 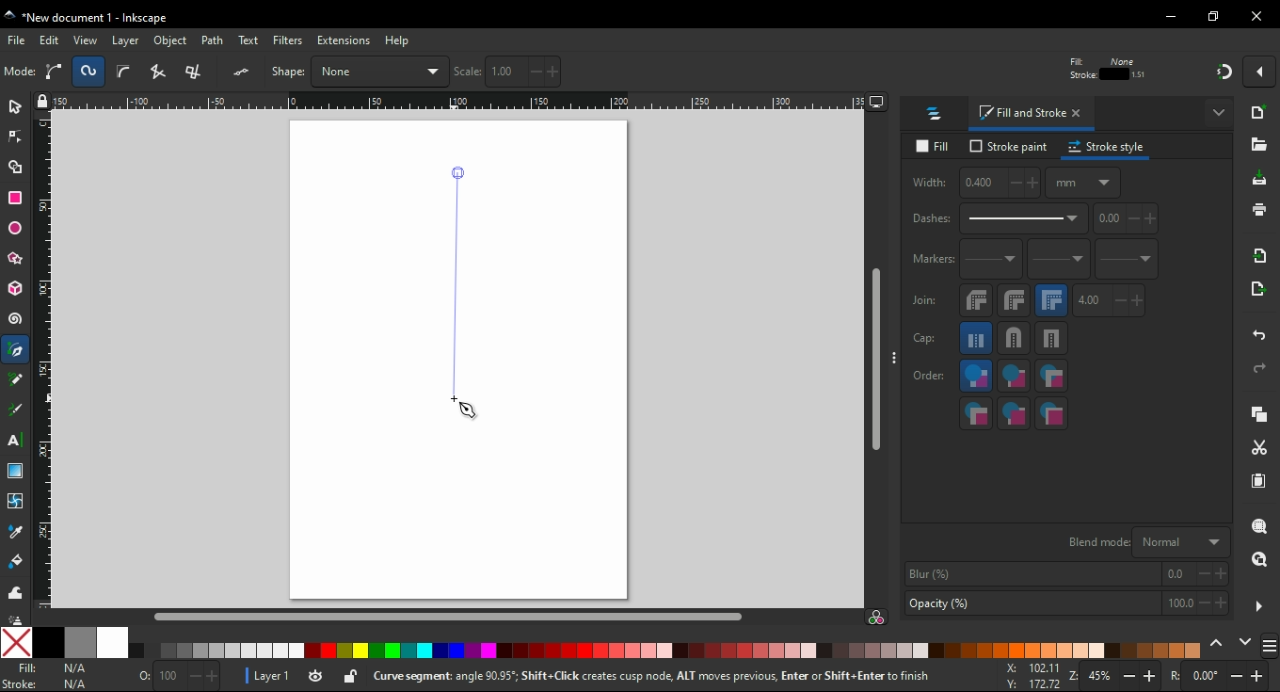 What do you see at coordinates (876, 619) in the screenshot?
I see `color managed mode` at bounding box center [876, 619].